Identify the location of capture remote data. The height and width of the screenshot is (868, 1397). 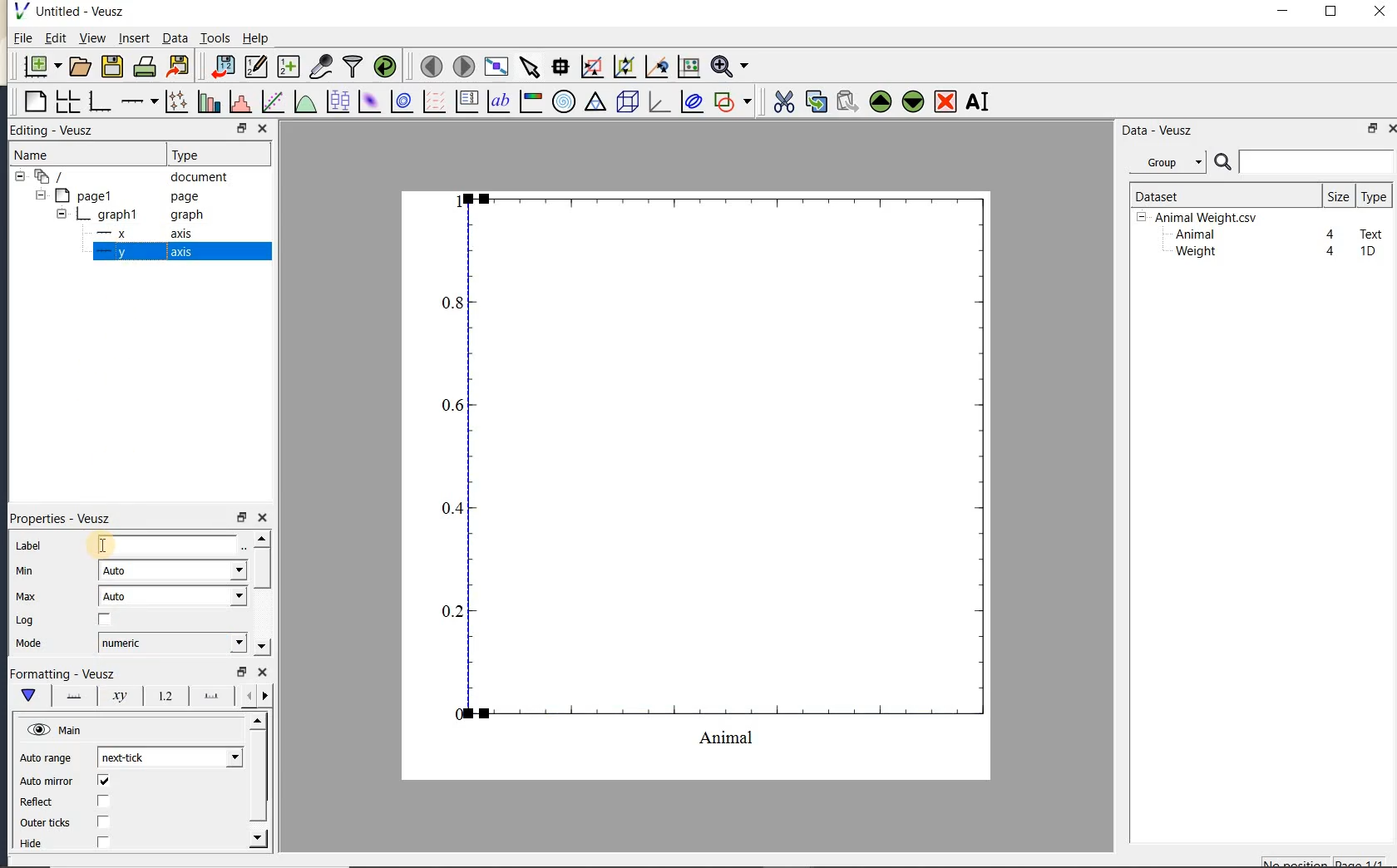
(321, 66).